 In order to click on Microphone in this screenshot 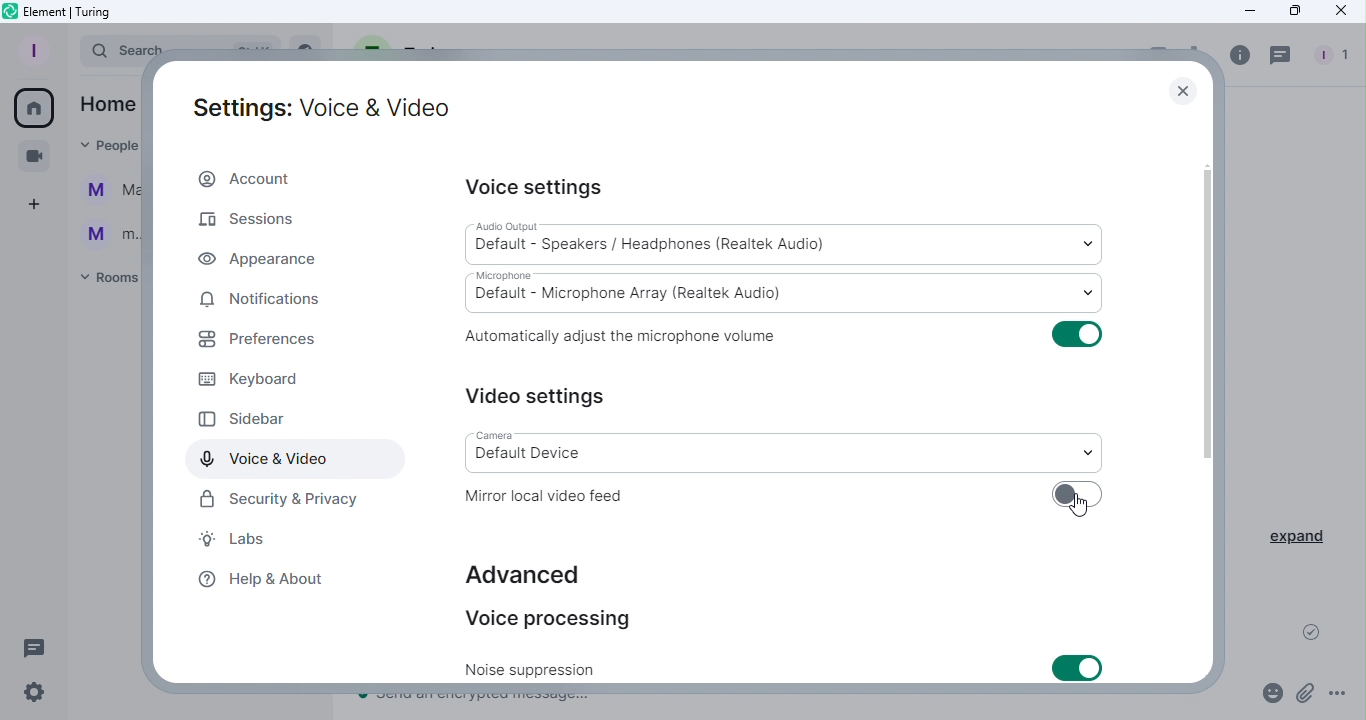, I will do `click(789, 291)`.